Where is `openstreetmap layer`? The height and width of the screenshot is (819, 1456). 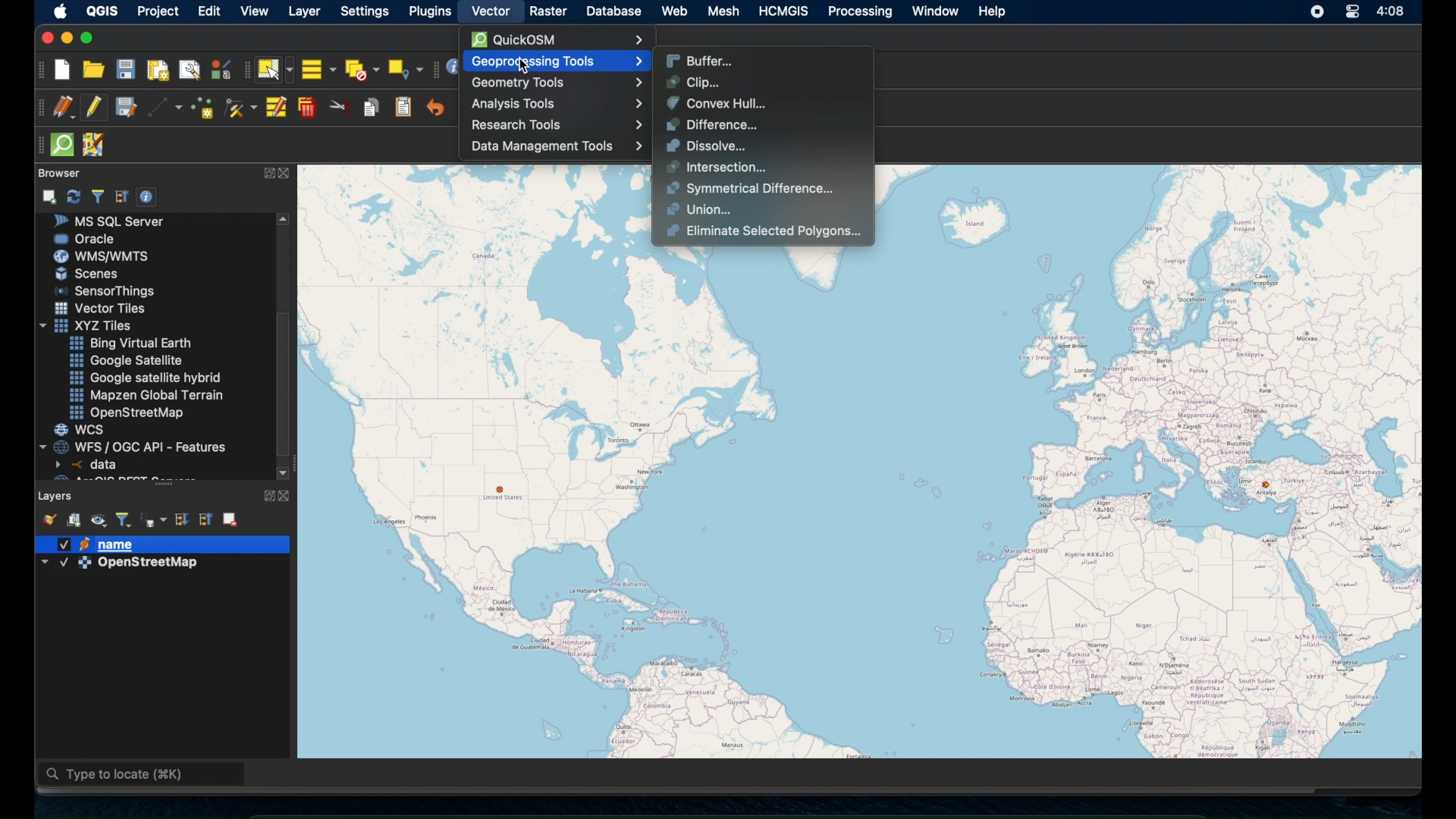 openstreetmap layer is located at coordinates (121, 566).